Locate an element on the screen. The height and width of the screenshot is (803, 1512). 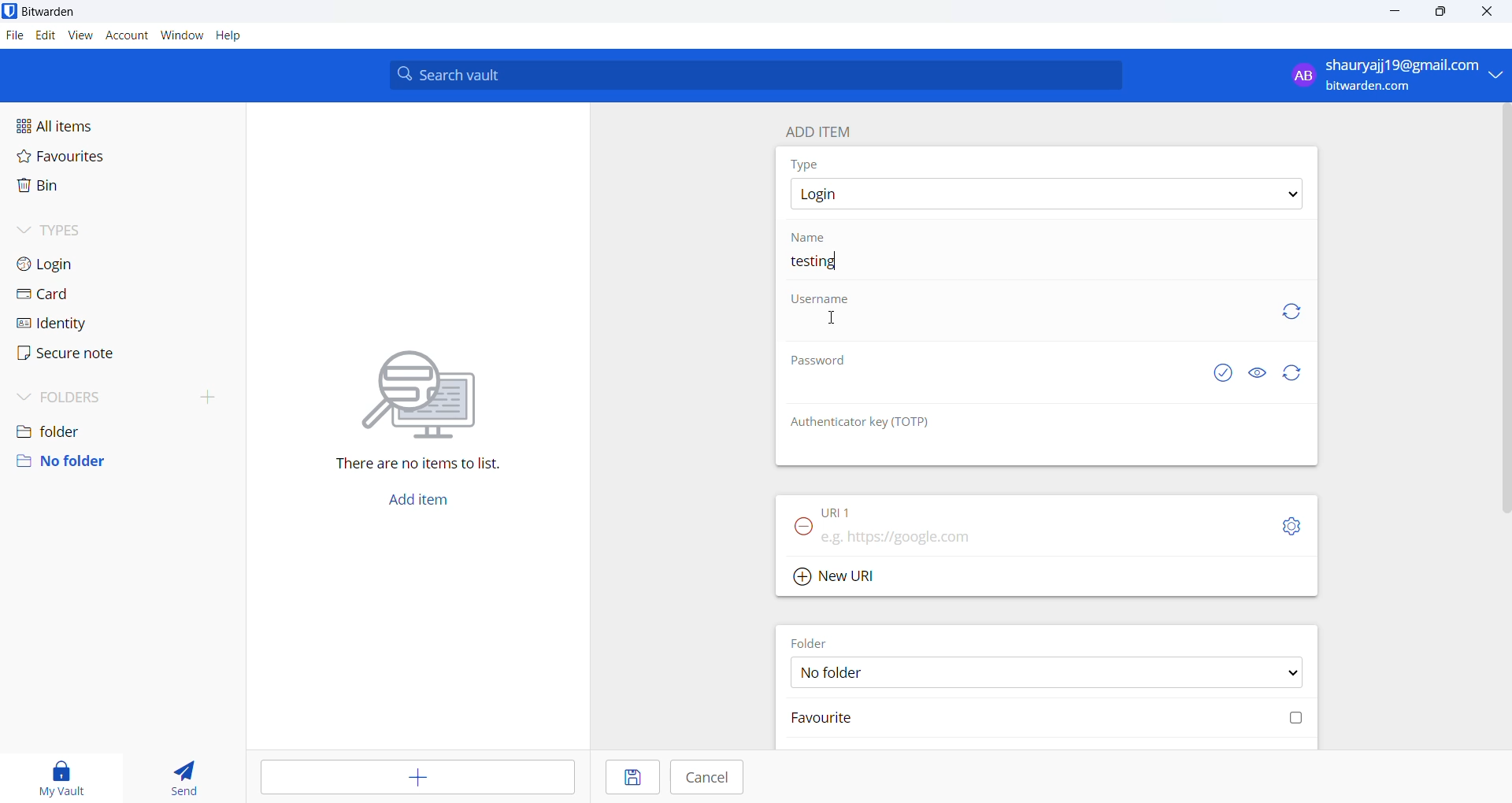
bin is located at coordinates (82, 191).